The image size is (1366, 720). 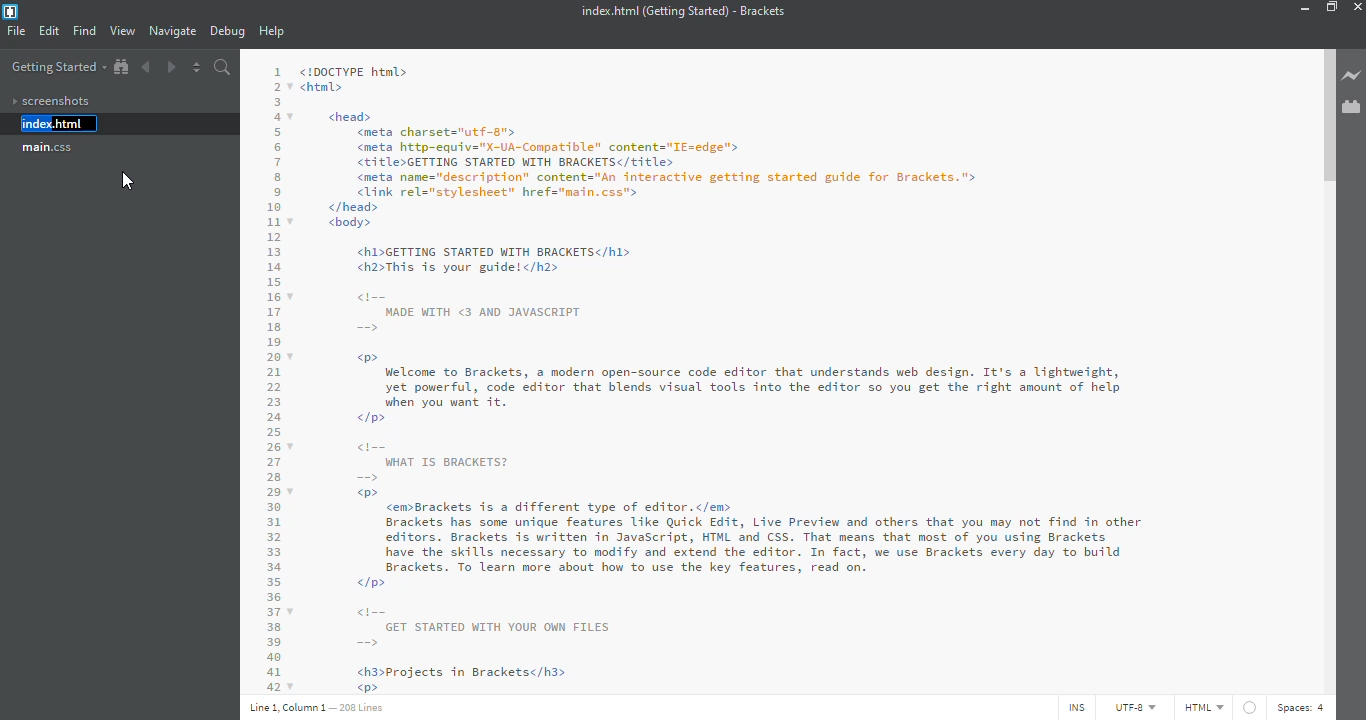 What do you see at coordinates (782, 374) in the screenshot?
I see `code` at bounding box center [782, 374].